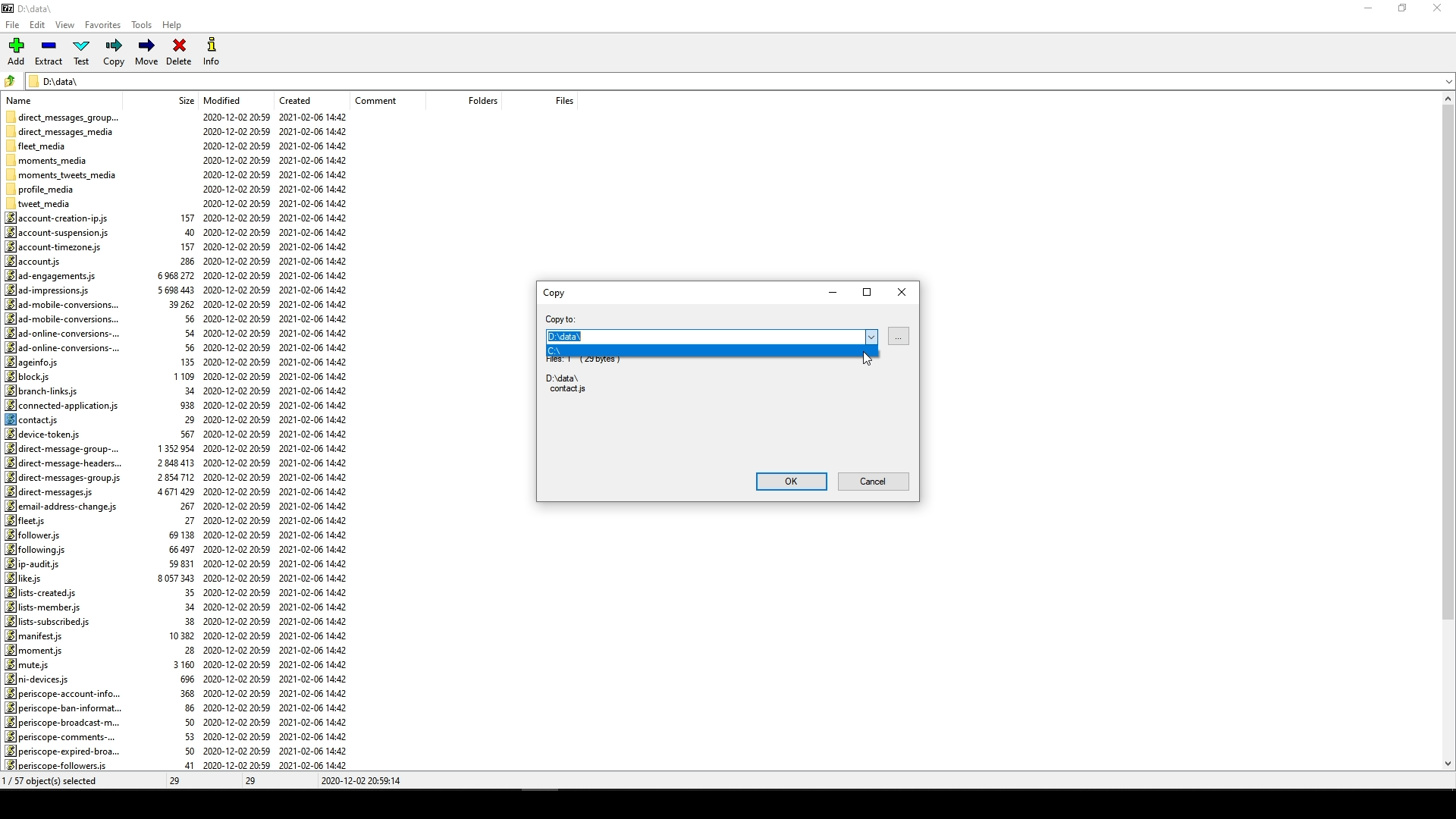  What do you see at coordinates (1407, 9) in the screenshot?
I see `restore down` at bounding box center [1407, 9].